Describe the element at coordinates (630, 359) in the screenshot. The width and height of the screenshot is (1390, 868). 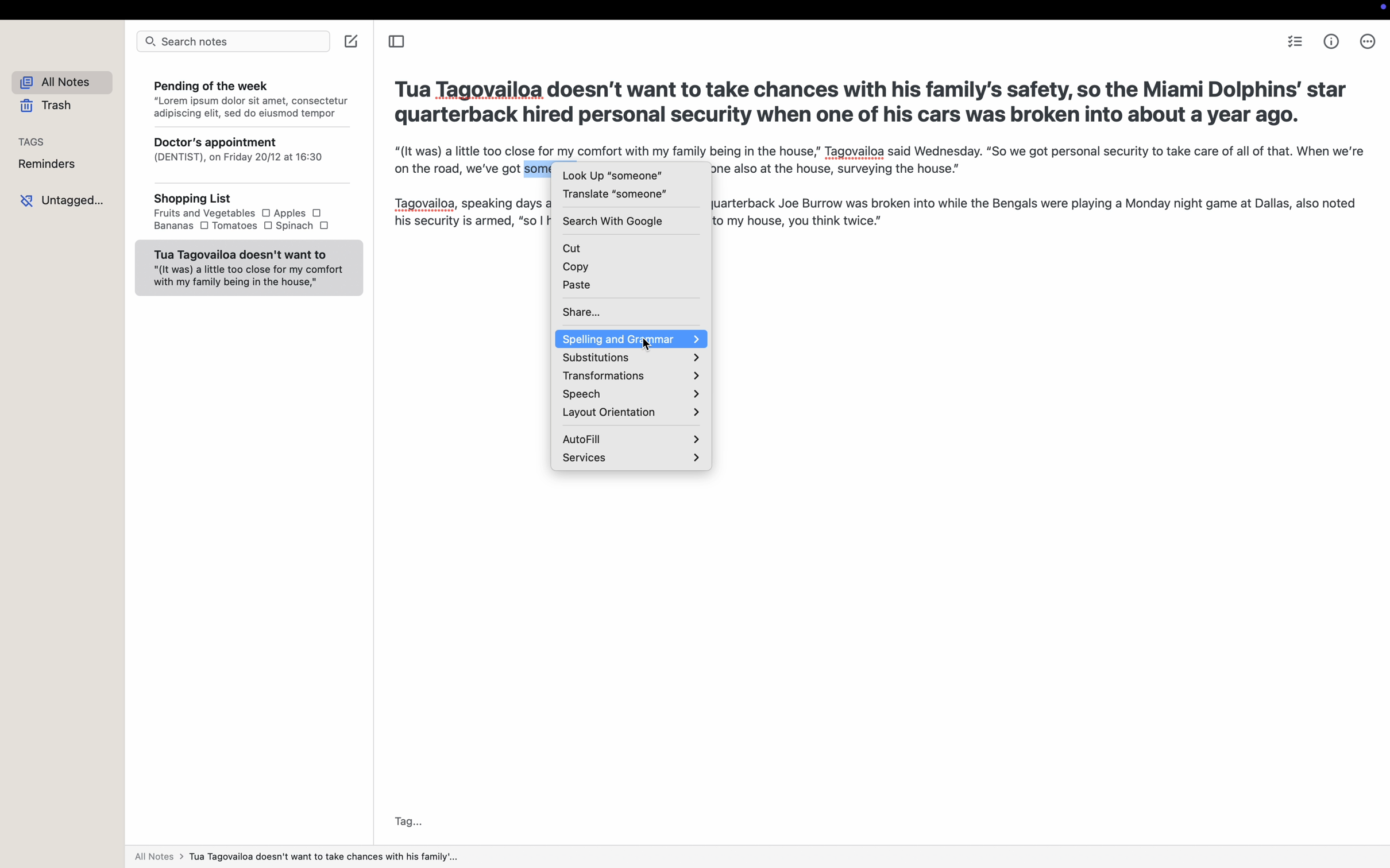
I see `substitutions` at that location.